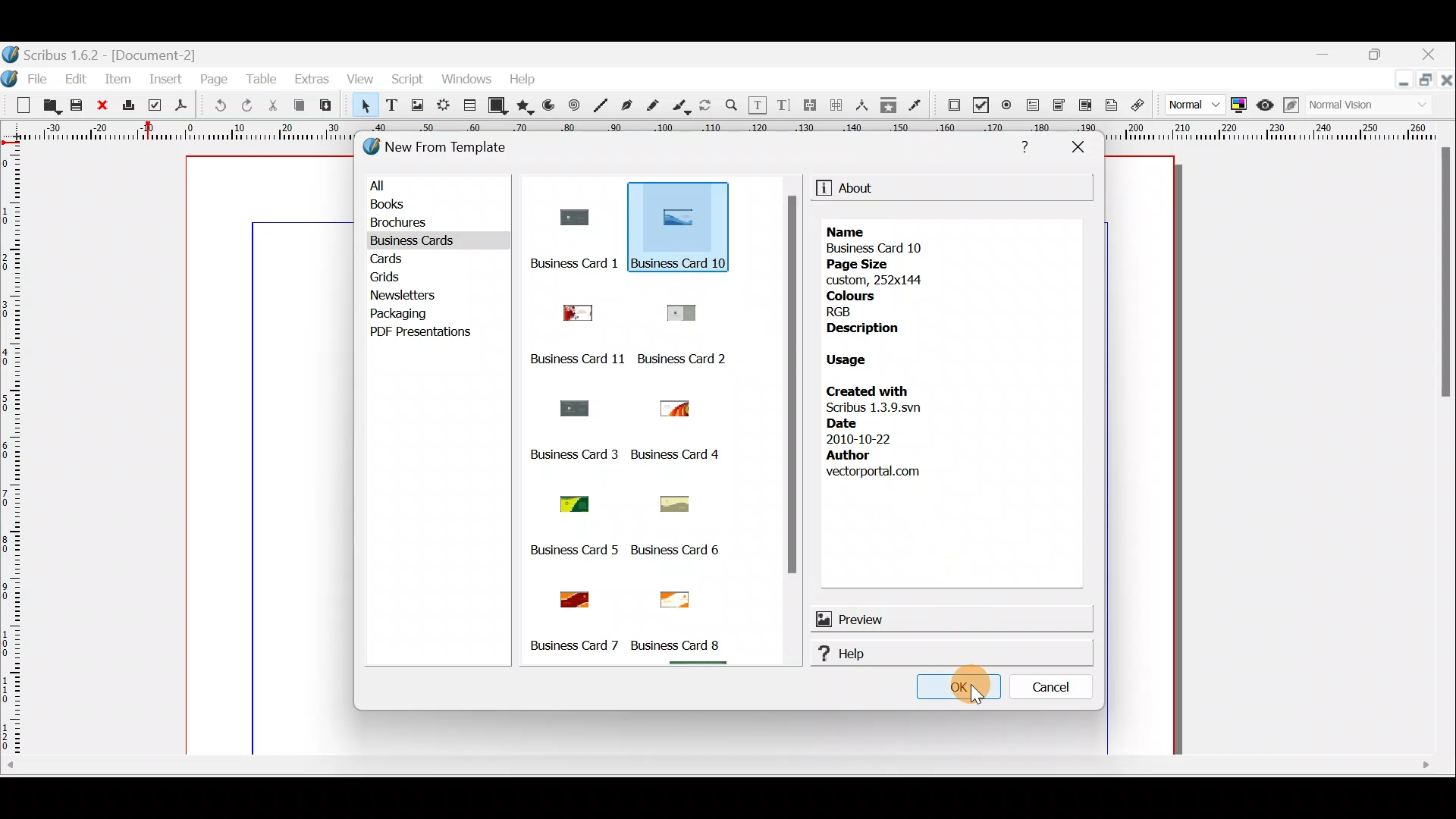  What do you see at coordinates (849, 455) in the screenshot?
I see `Author` at bounding box center [849, 455].